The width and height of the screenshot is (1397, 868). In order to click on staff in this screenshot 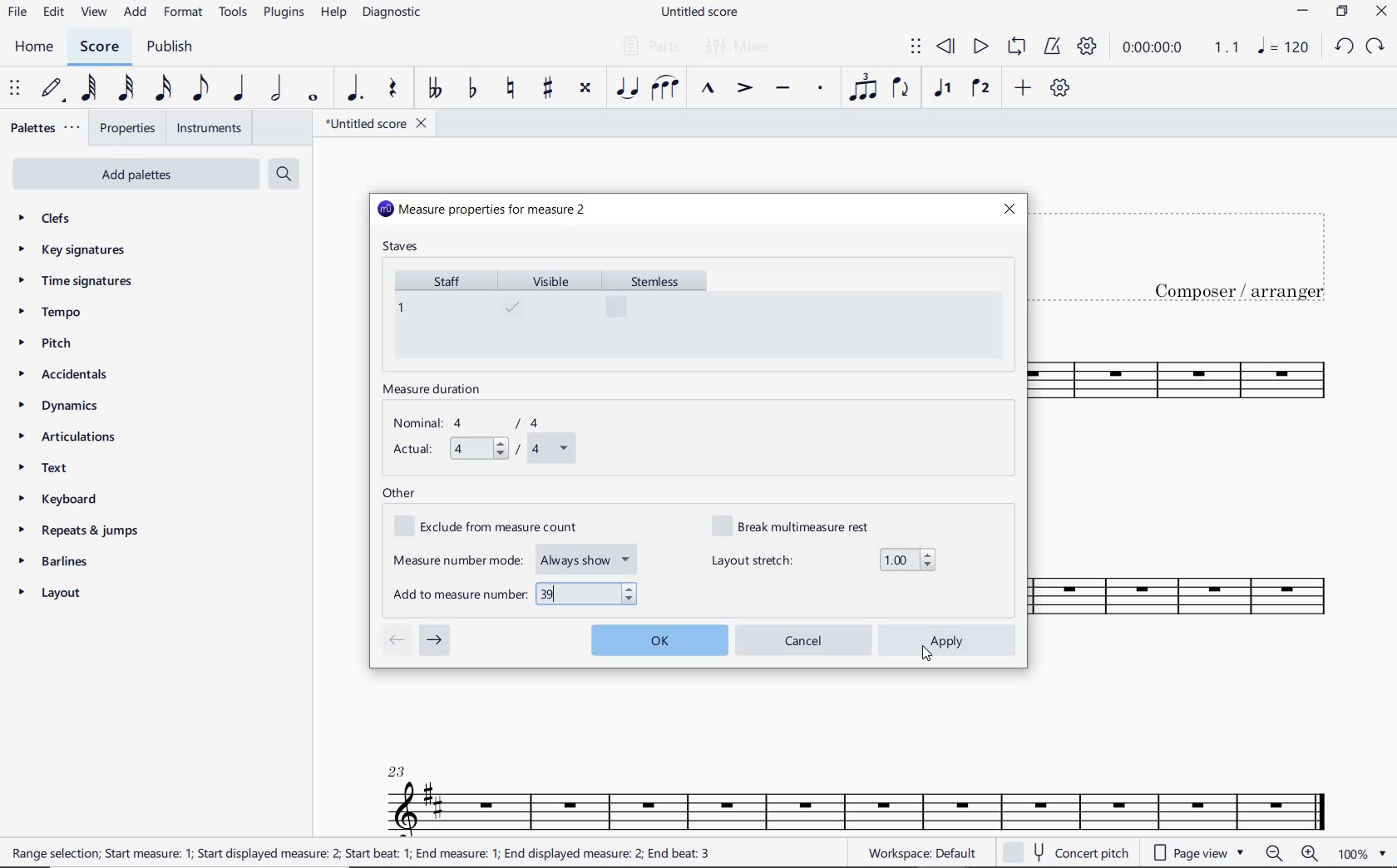, I will do `click(441, 313)`.